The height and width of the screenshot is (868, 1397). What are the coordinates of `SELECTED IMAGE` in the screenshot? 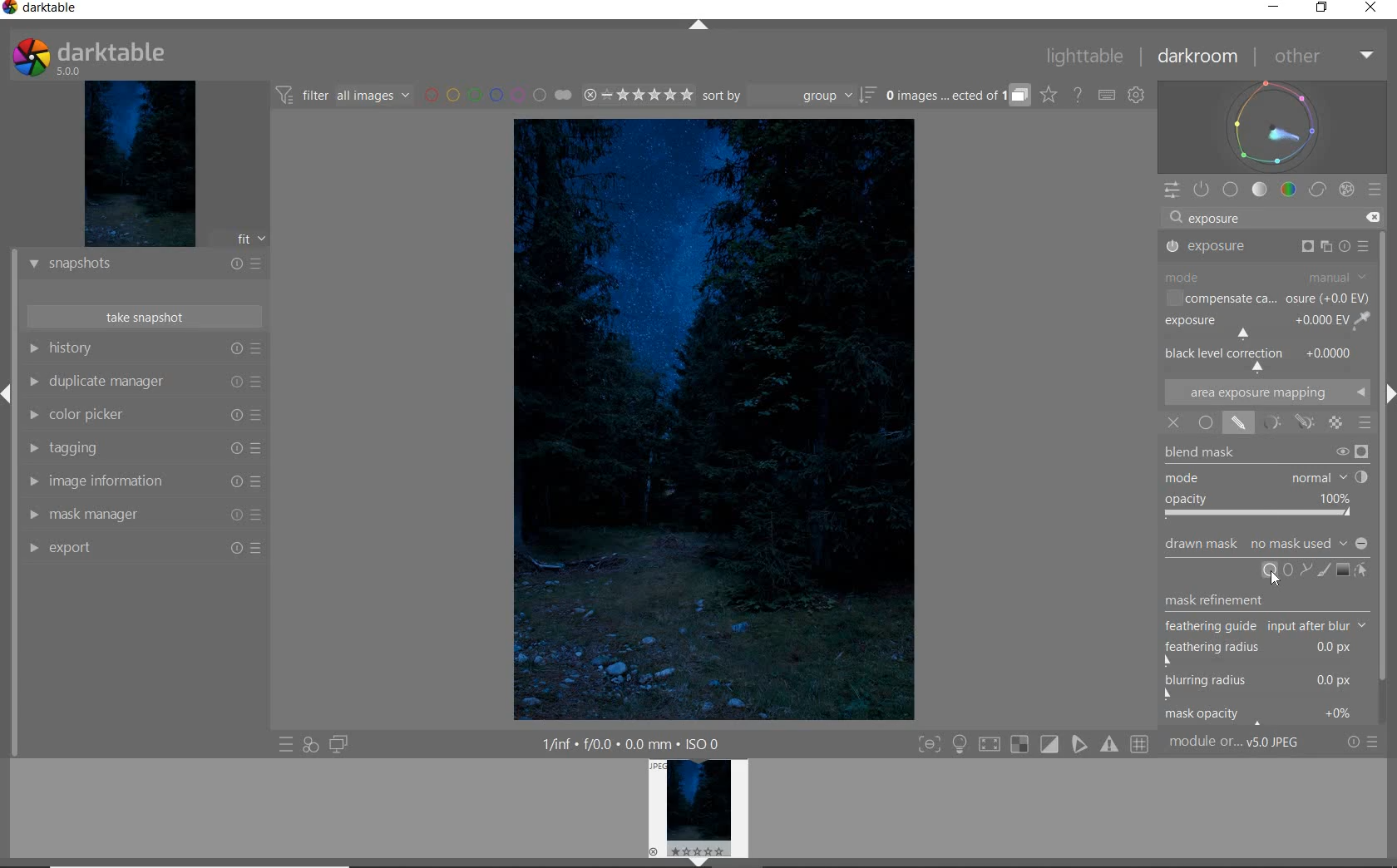 It's located at (710, 420).